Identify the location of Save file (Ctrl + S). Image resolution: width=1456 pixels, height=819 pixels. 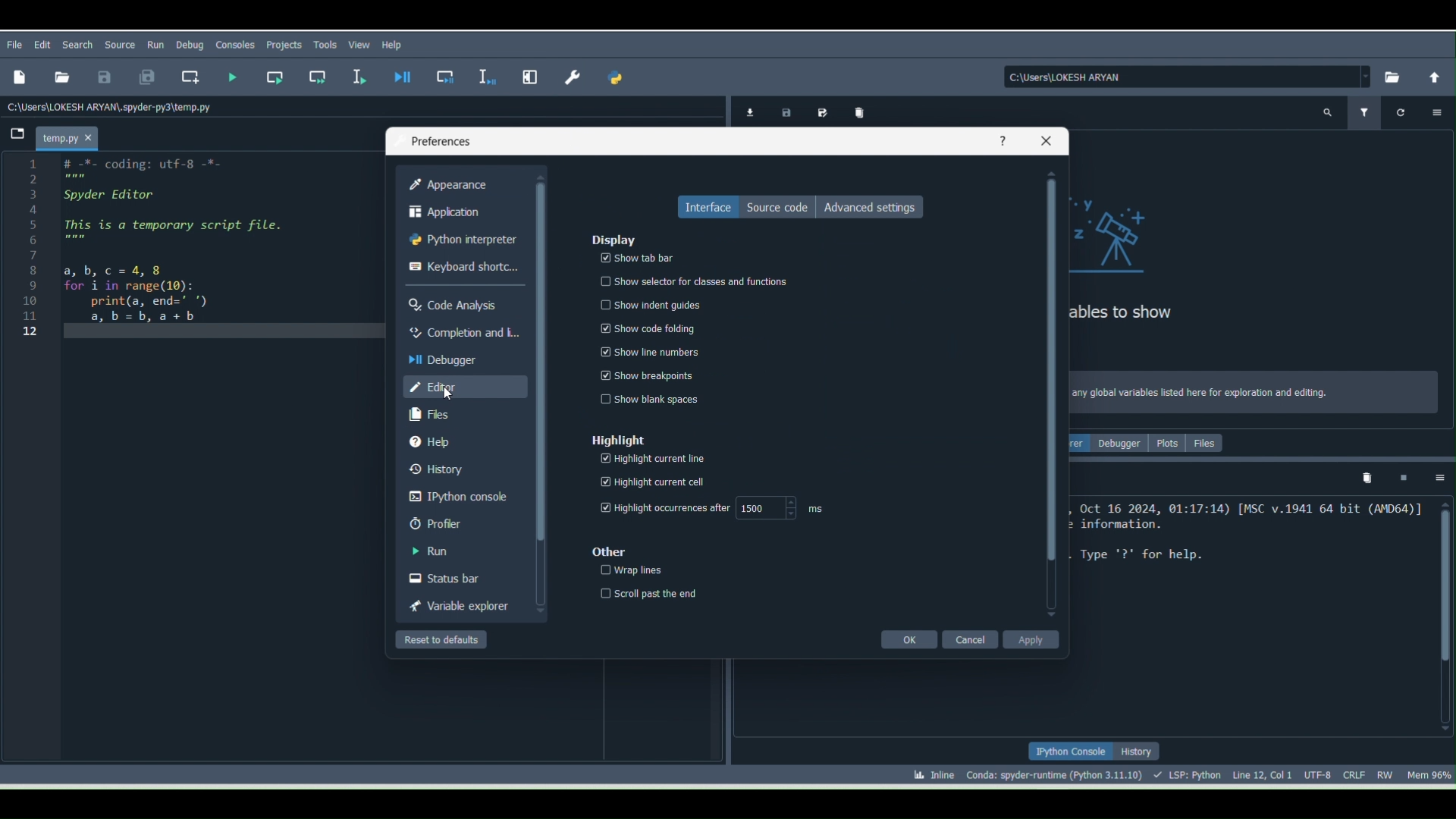
(104, 76).